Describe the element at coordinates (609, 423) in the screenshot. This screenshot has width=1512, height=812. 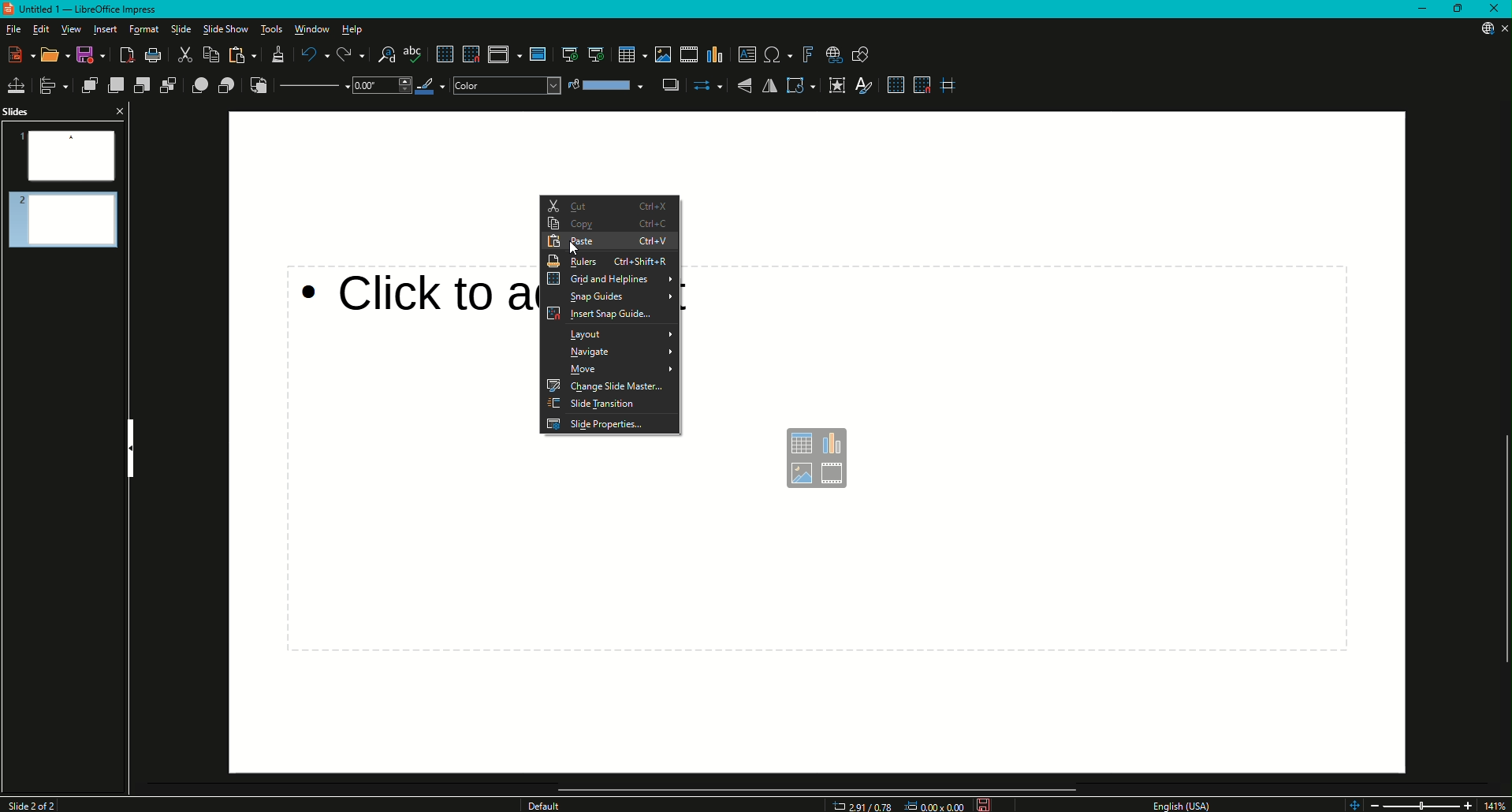
I see `Slide Properties` at that location.